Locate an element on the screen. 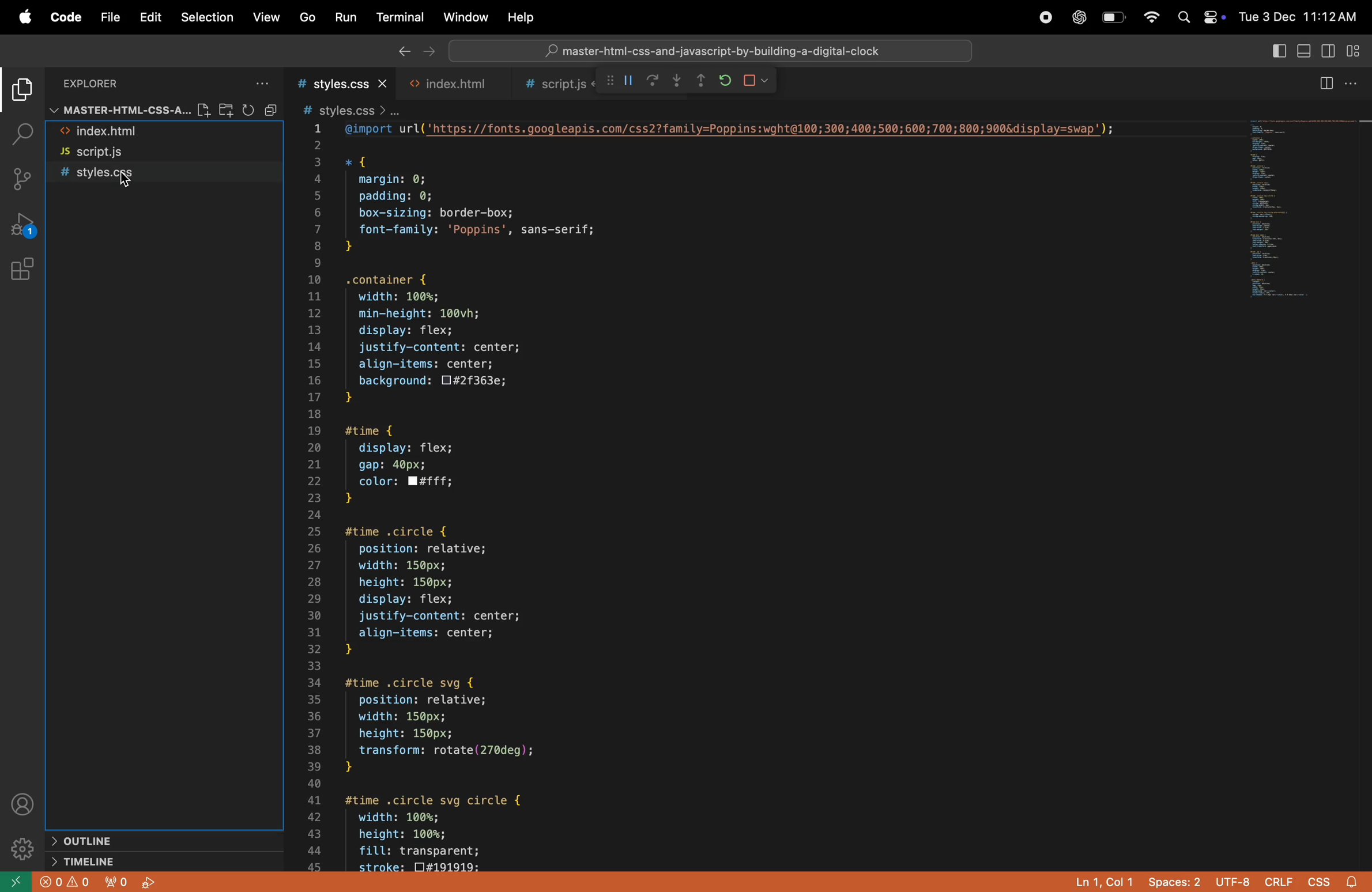 This screenshot has height=892, width=1372. search is located at coordinates (19, 134).